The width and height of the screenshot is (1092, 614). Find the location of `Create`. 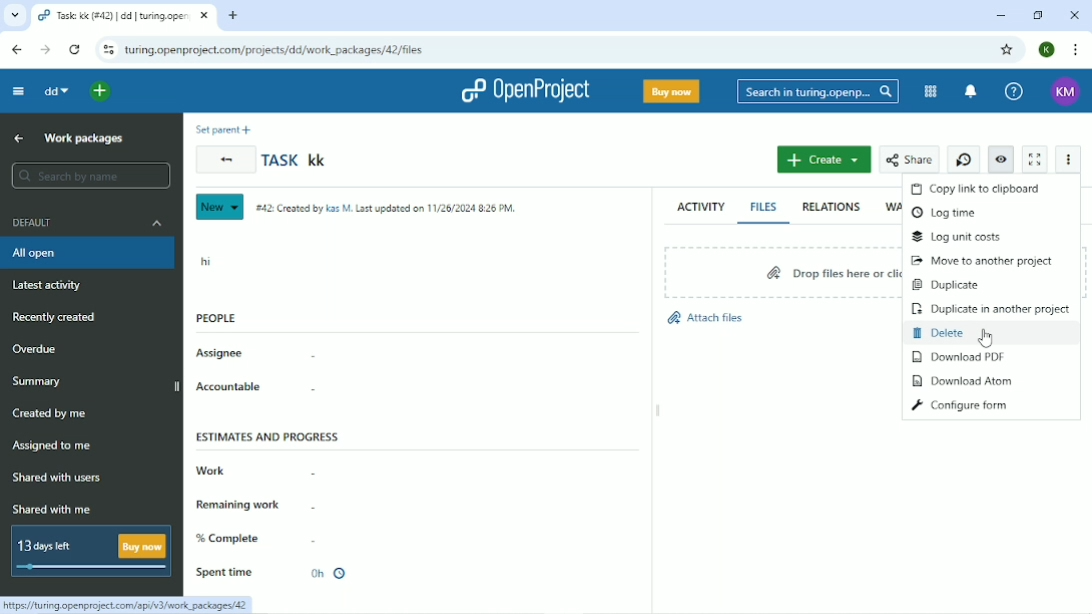

Create is located at coordinates (823, 159).